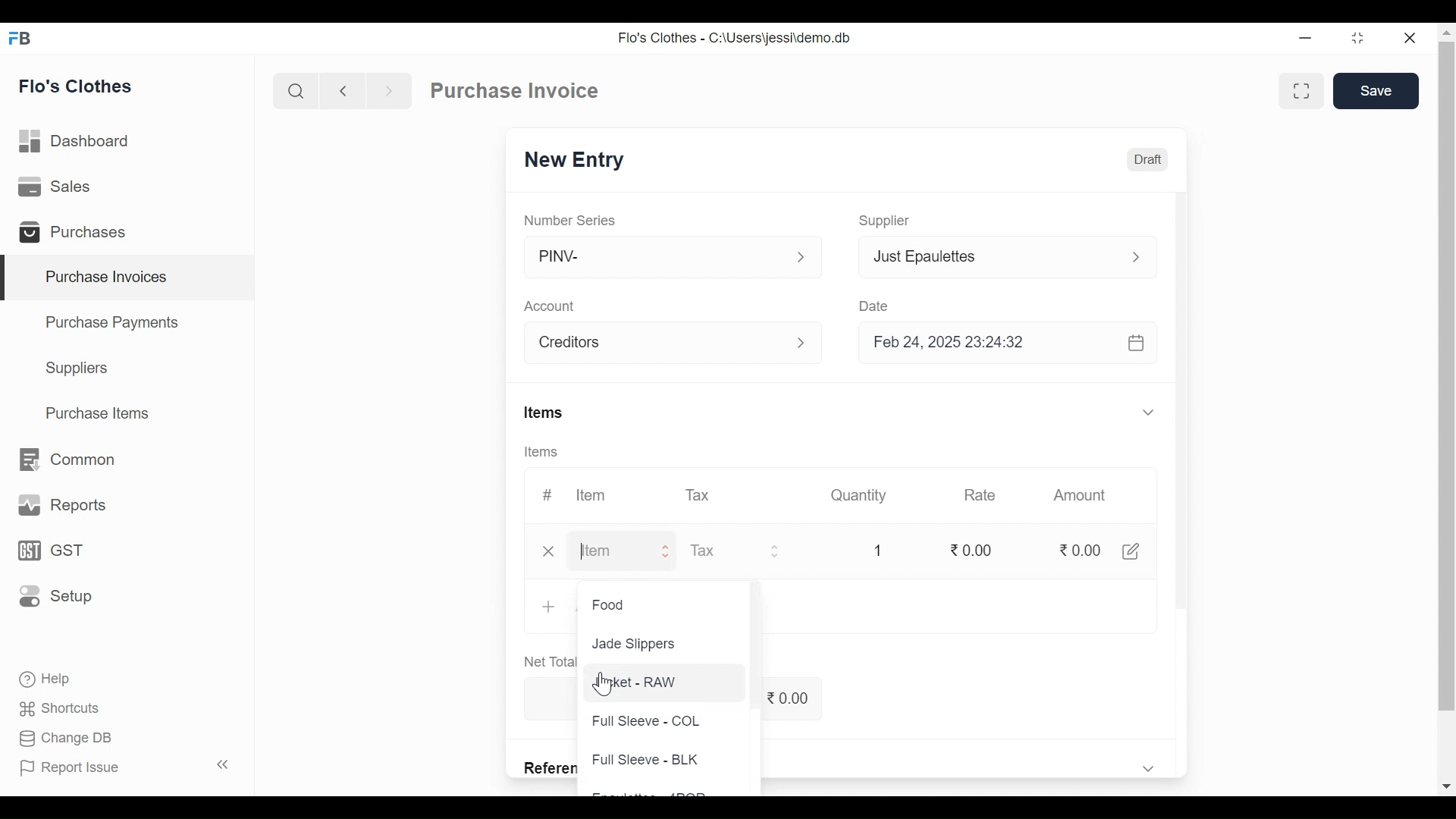 The image size is (1456, 819). What do you see at coordinates (803, 257) in the screenshot?
I see `expand` at bounding box center [803, 257].